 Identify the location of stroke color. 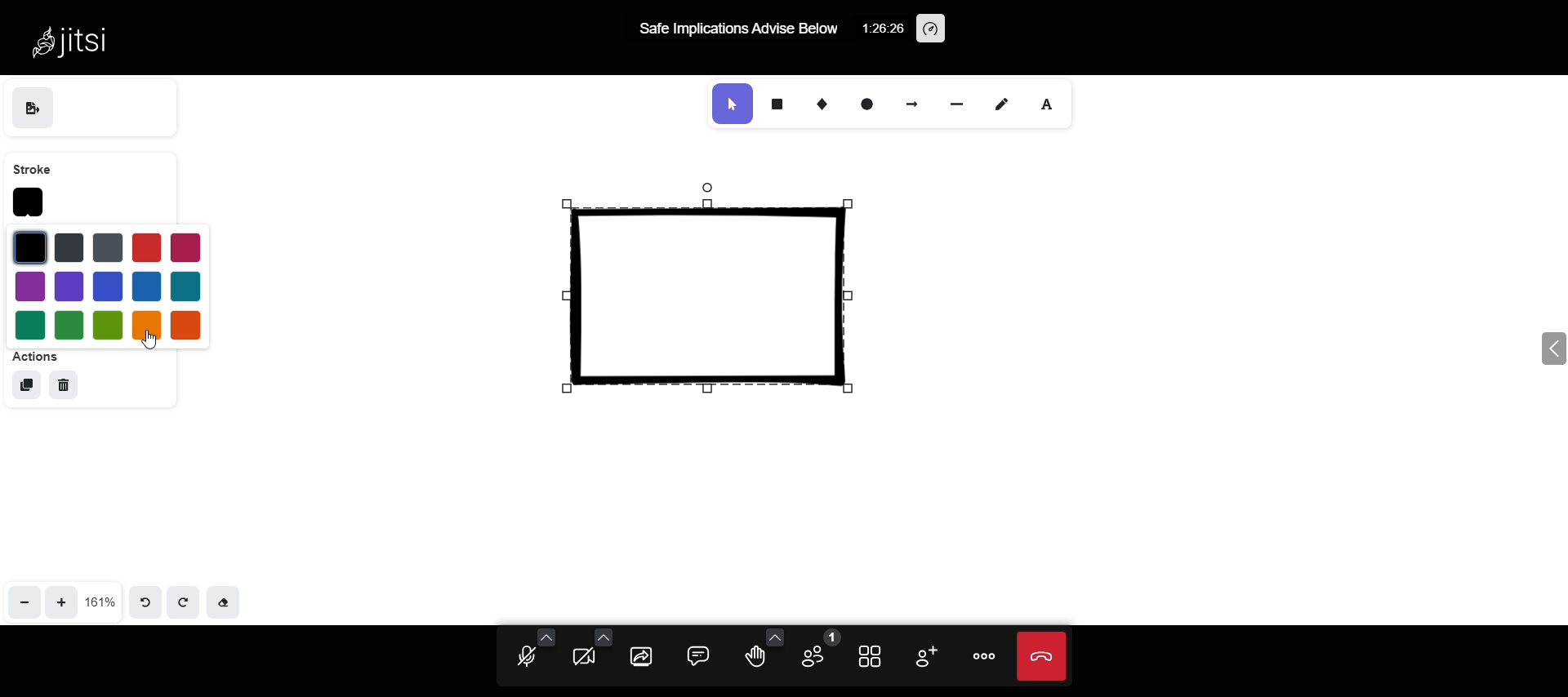
(31, 199).